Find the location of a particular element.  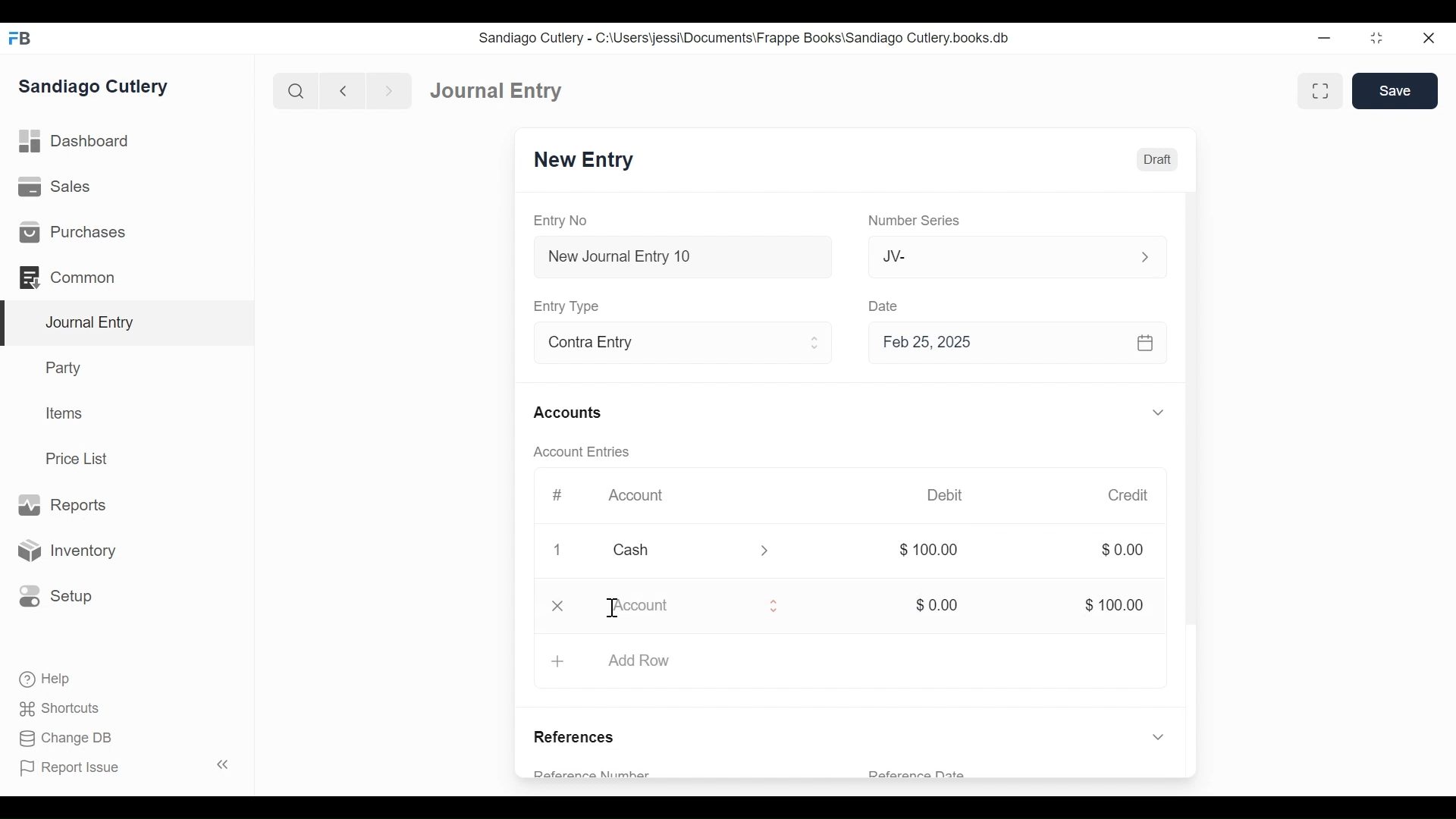

Cursor is located at coordinates (612, 608).